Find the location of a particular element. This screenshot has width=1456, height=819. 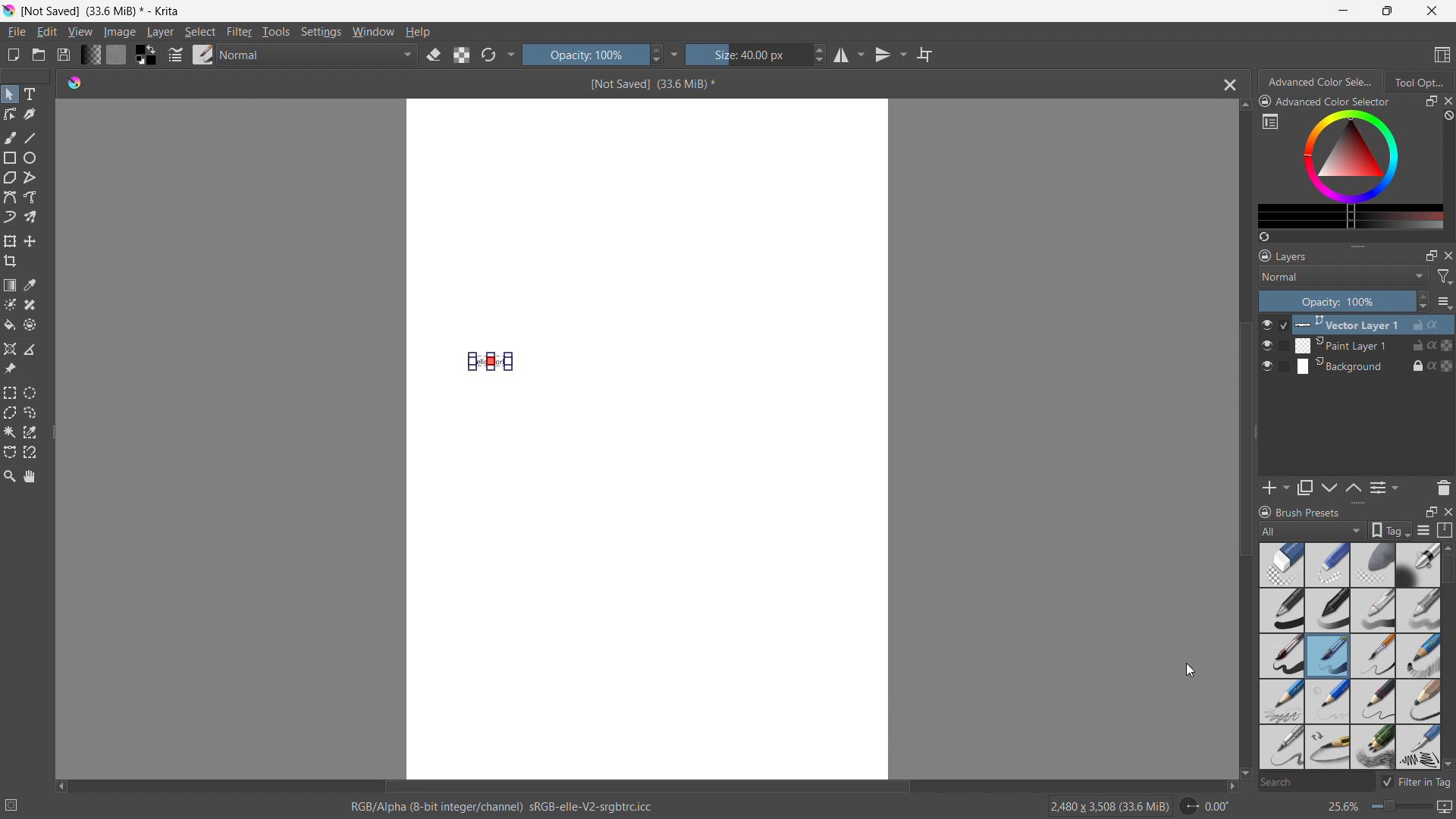

duplicate layer is located at coordinates (1305, 488).